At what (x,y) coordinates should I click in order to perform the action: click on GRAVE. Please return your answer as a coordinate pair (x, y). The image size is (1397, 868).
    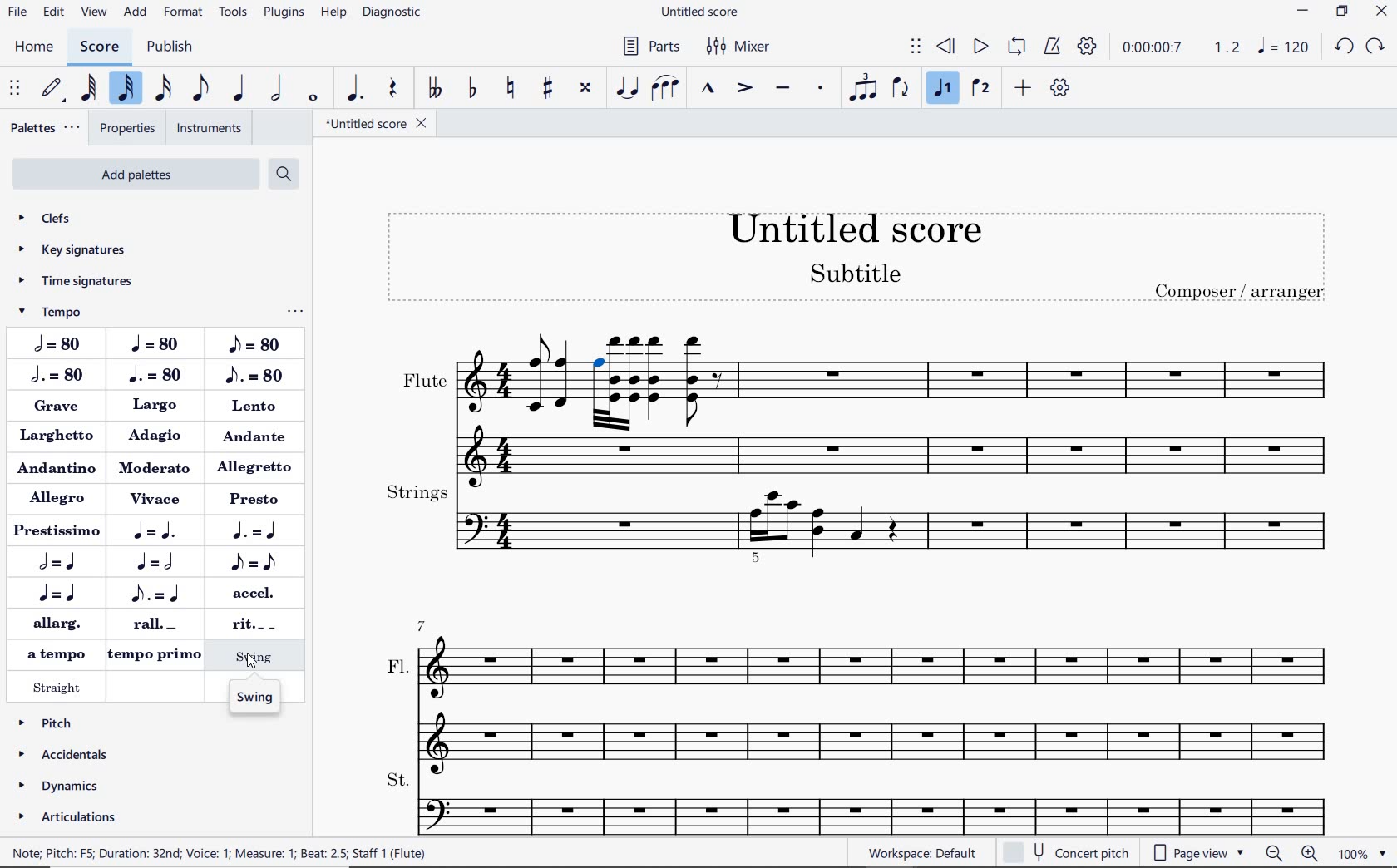
    Looking at the image, I should click on (62, 410).